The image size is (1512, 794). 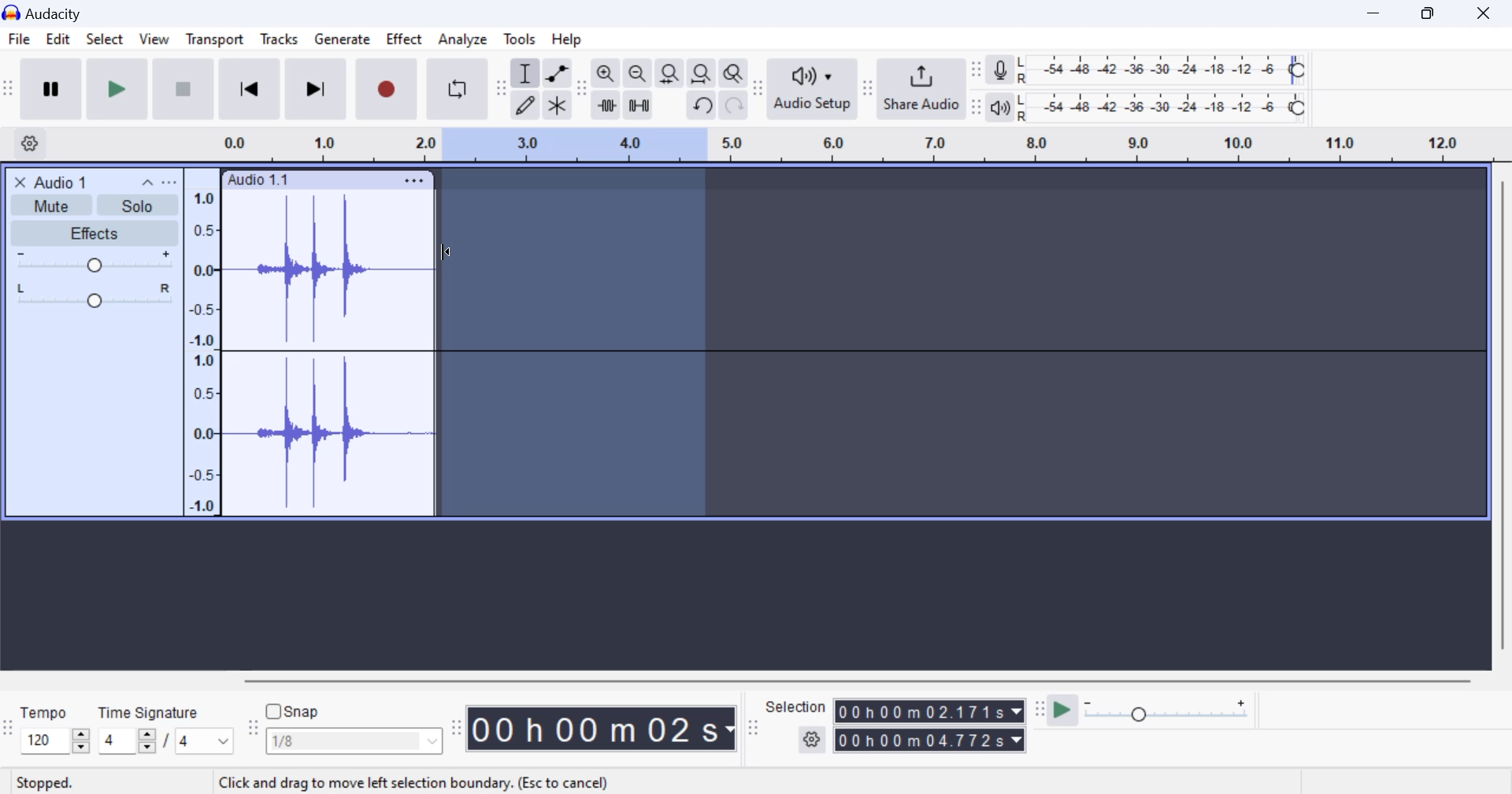 What do you see at coordinates (104, 43) in the screenshot?
I see `Select` at bounding box center [104, 43].